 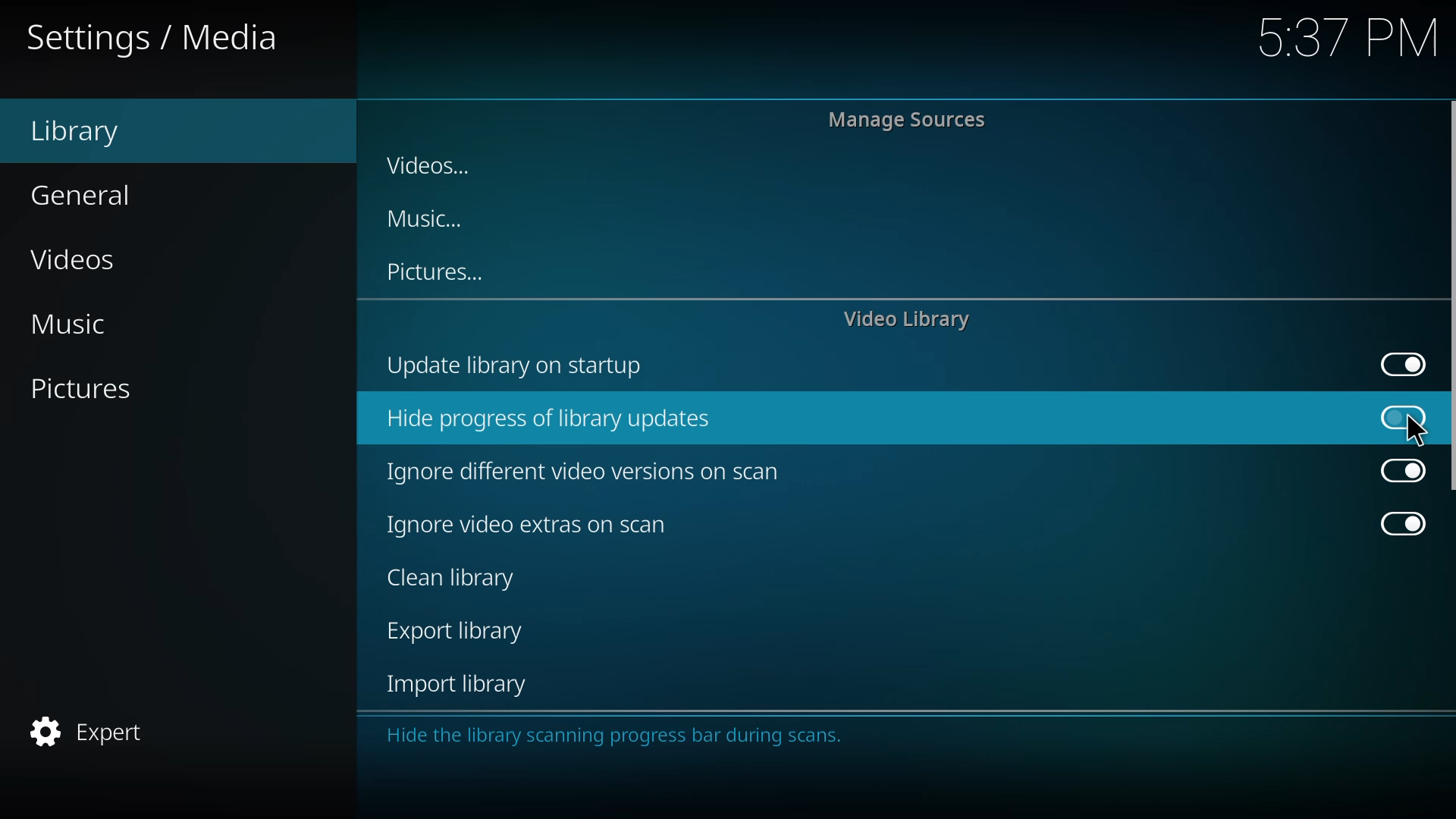 What do you see at coordinates (89, 130) in the screenshot?
I see `library` at bounding box center [89, 130].